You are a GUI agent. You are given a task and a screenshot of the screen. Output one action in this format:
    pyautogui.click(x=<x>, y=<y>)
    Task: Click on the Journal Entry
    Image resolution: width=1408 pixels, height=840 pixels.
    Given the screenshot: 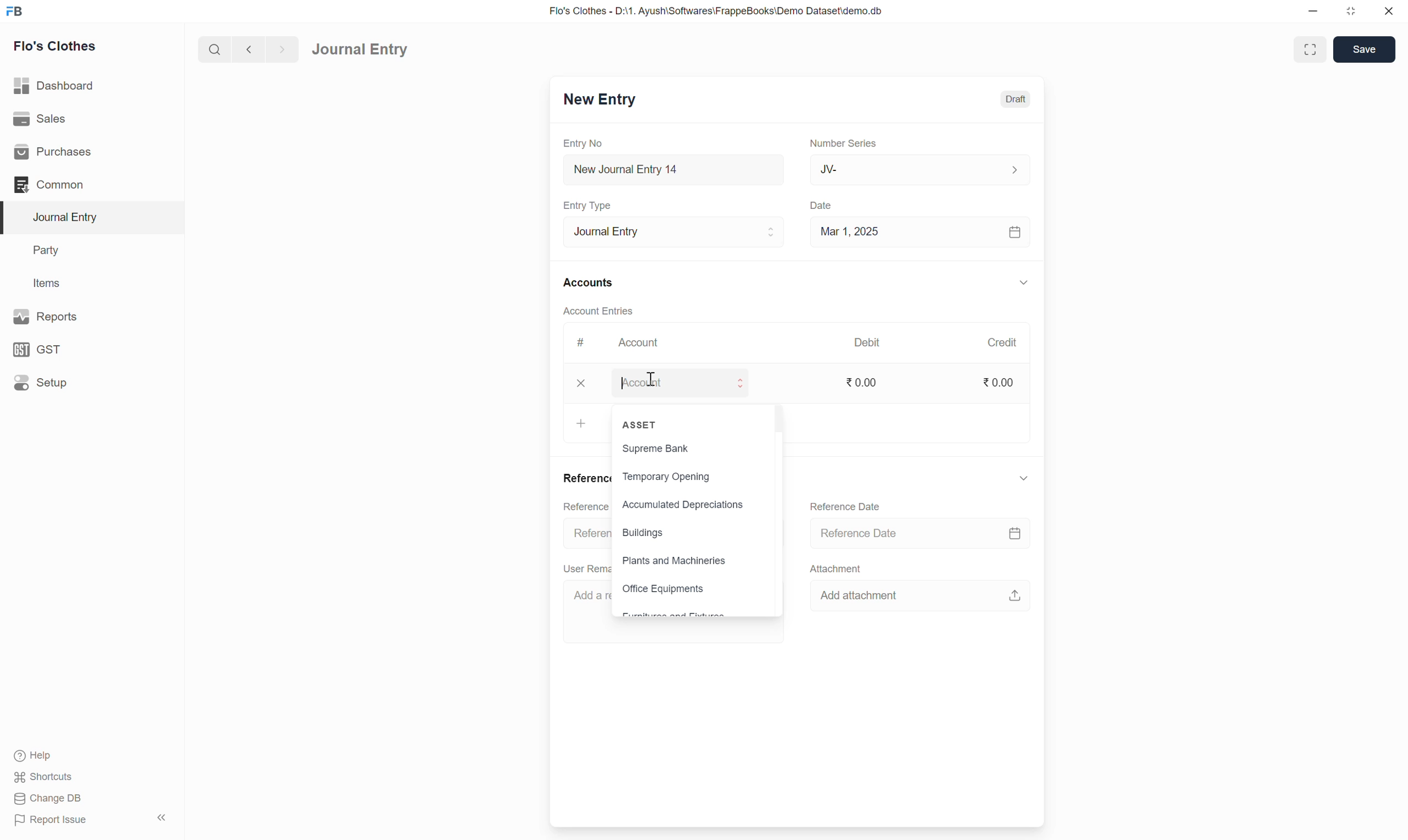 What is the action you would take?
    pyautogui.click(x=70, y=217)
    